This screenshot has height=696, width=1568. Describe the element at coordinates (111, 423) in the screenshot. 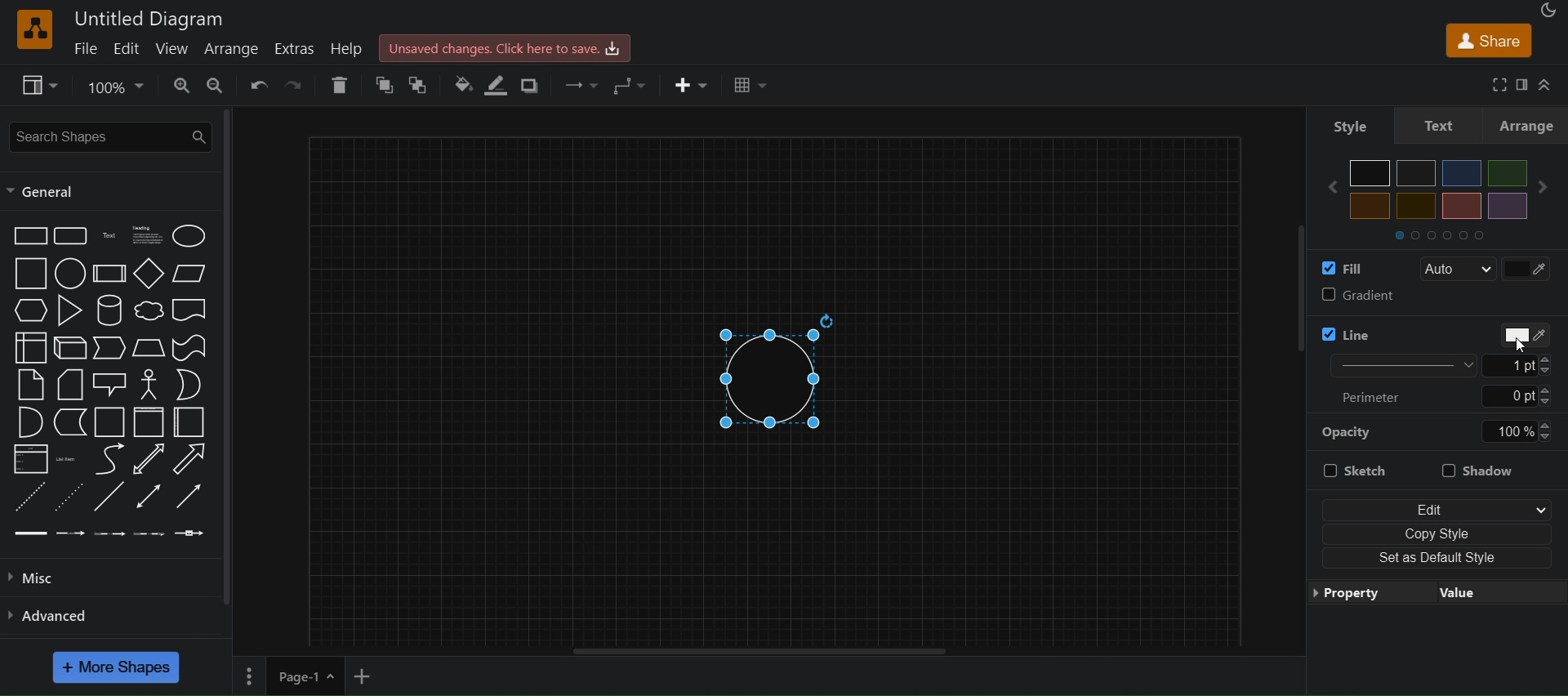

I see `container` at that location.